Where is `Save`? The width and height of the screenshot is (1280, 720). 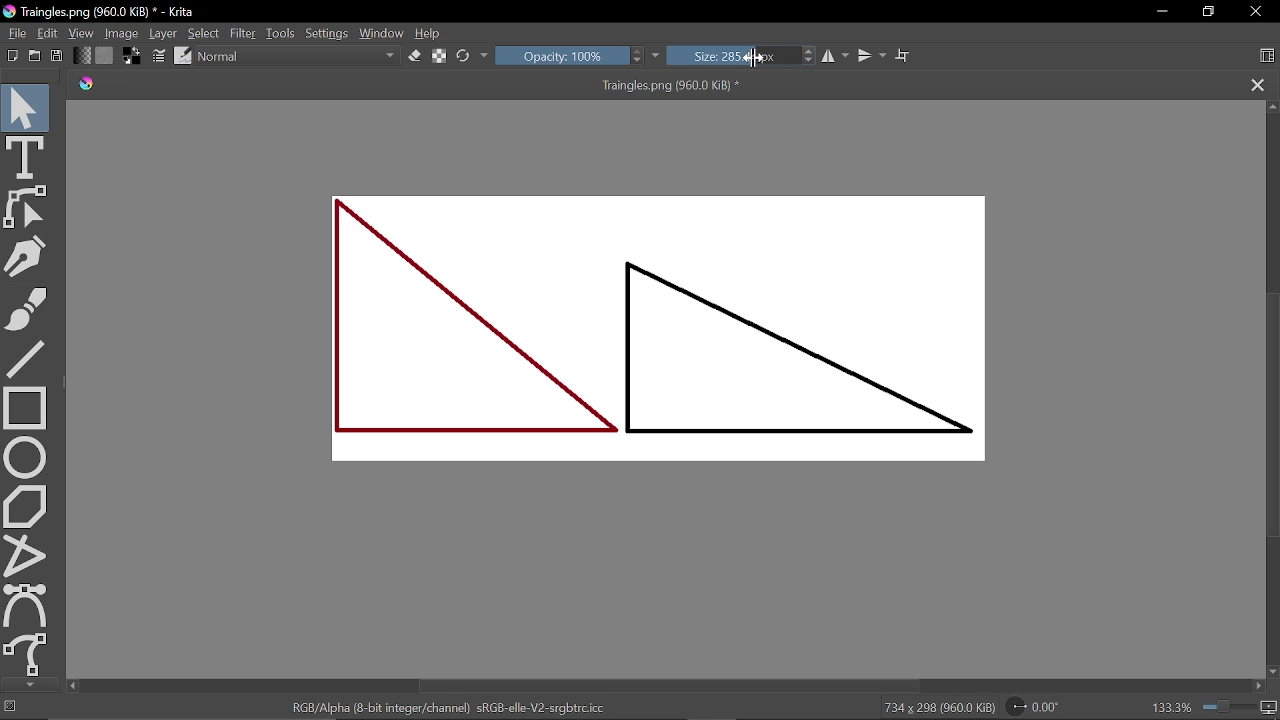
Save is located at coordinates (56, 57).